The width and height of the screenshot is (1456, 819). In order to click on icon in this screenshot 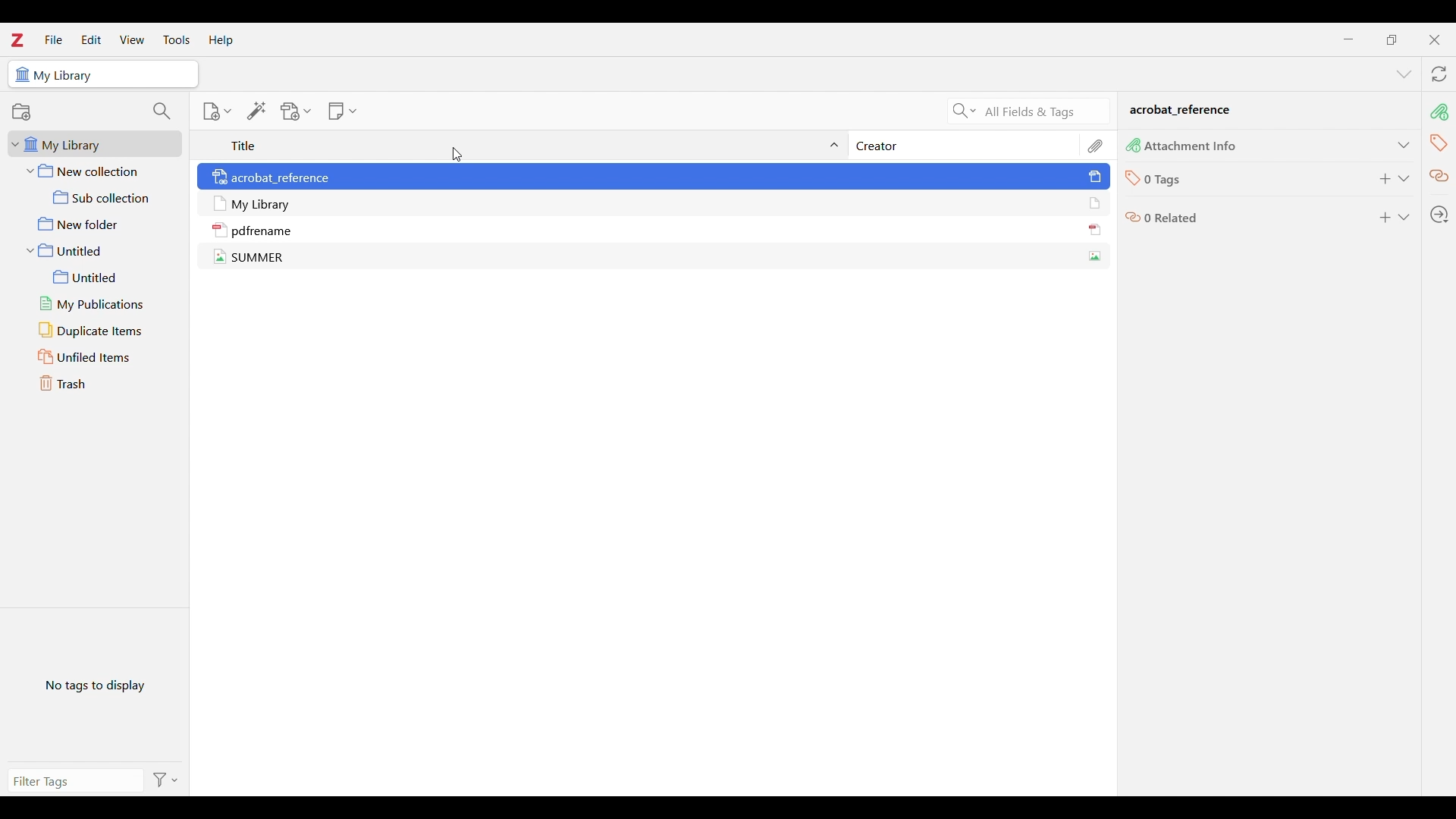, I will do `click(220, 257)`.